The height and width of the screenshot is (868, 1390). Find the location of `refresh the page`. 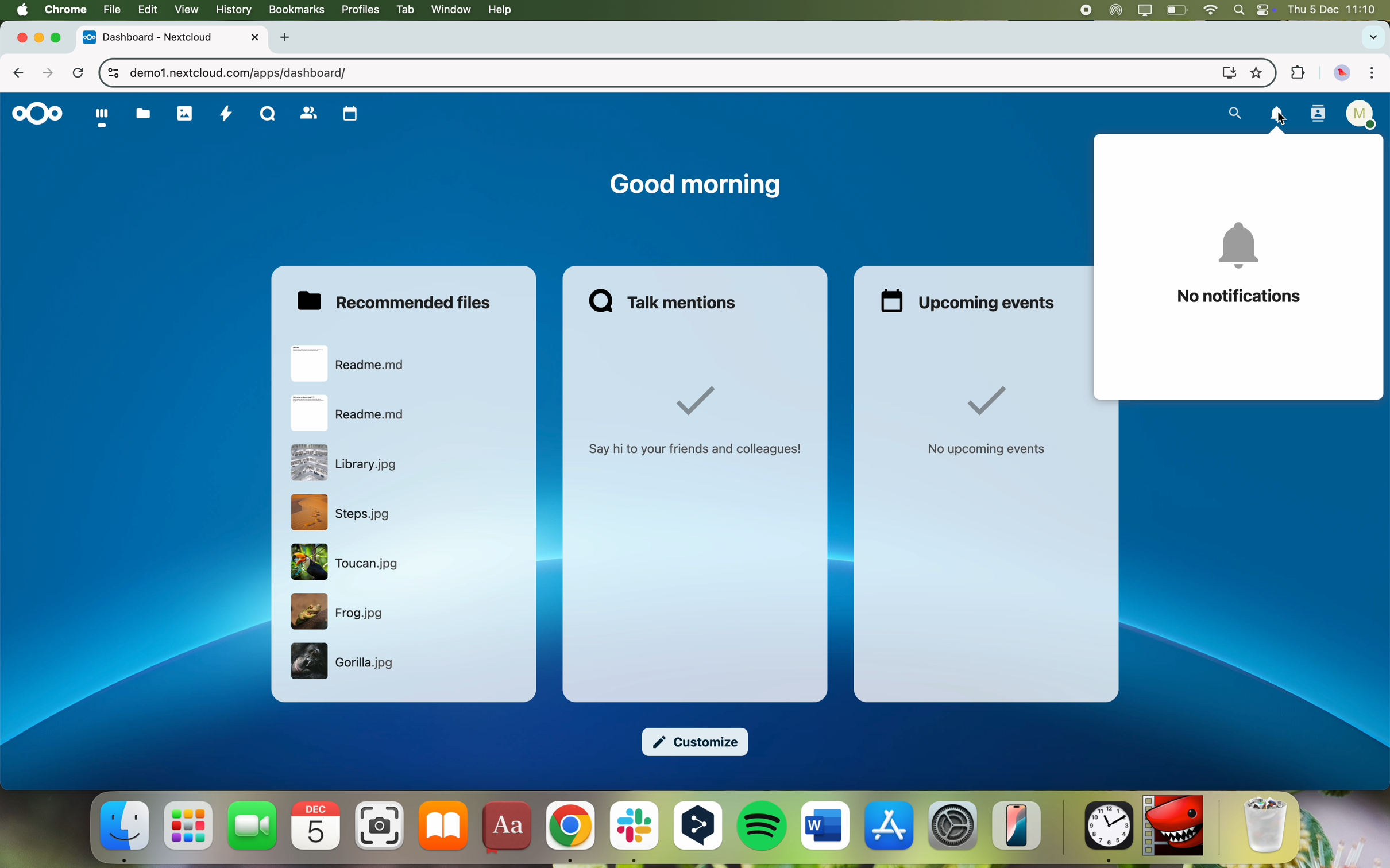

refresh the page is located at coordinates (79, 74).